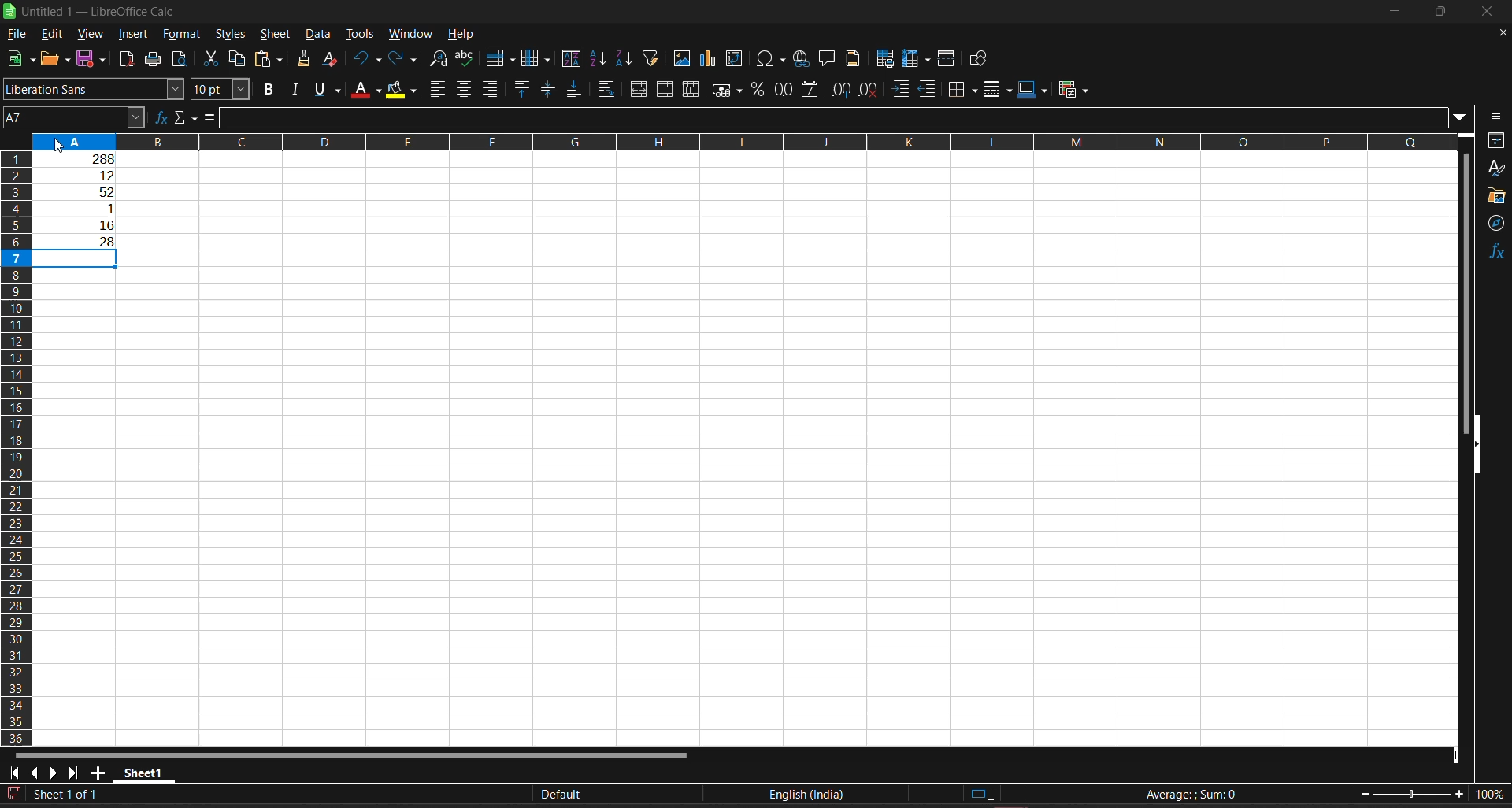 The image size is (1512, 808). I want to click on insert comment, so click(830, 59).